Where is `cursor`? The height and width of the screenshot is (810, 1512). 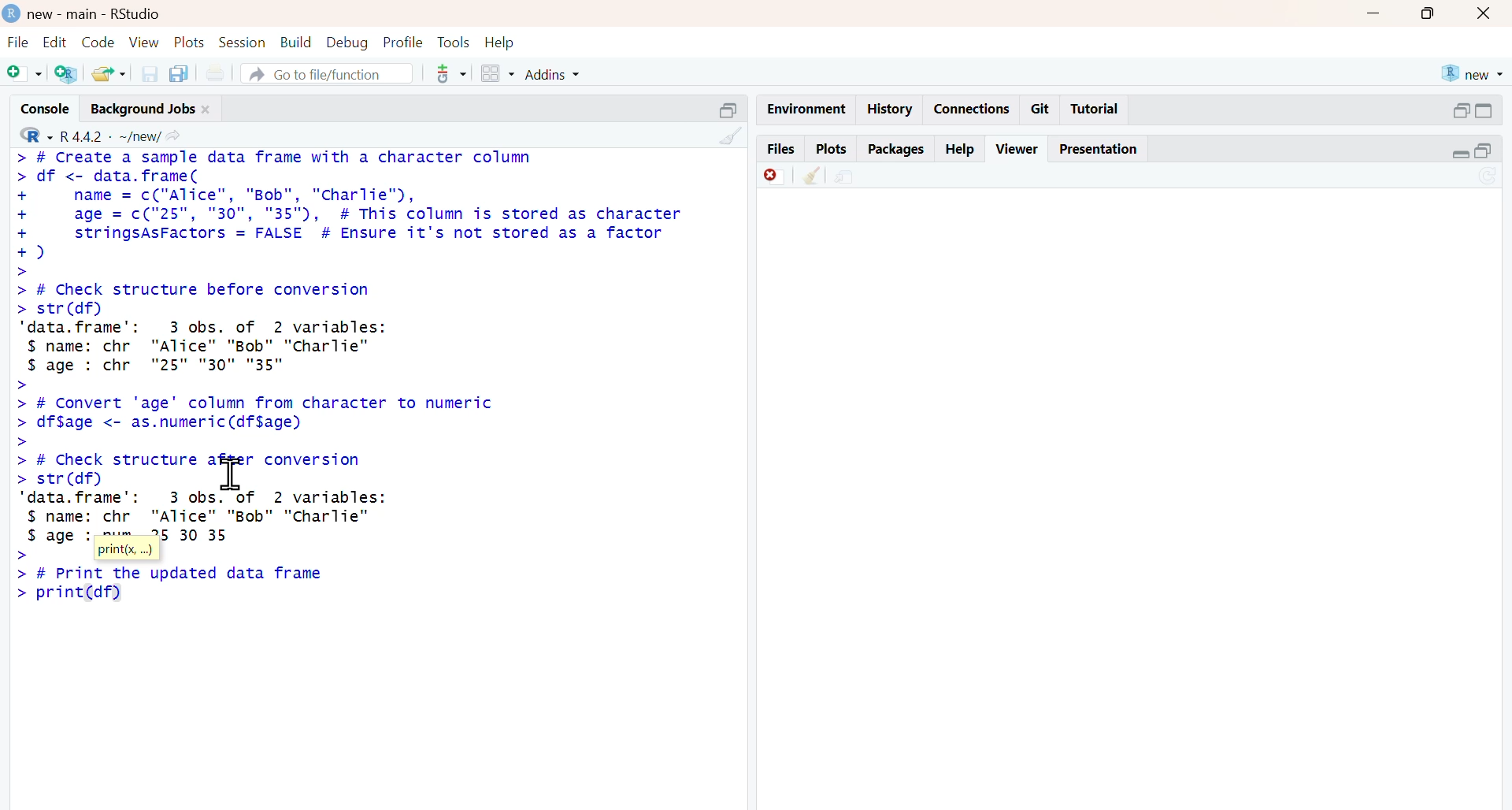 cursor is located at coordinates (233, 474).